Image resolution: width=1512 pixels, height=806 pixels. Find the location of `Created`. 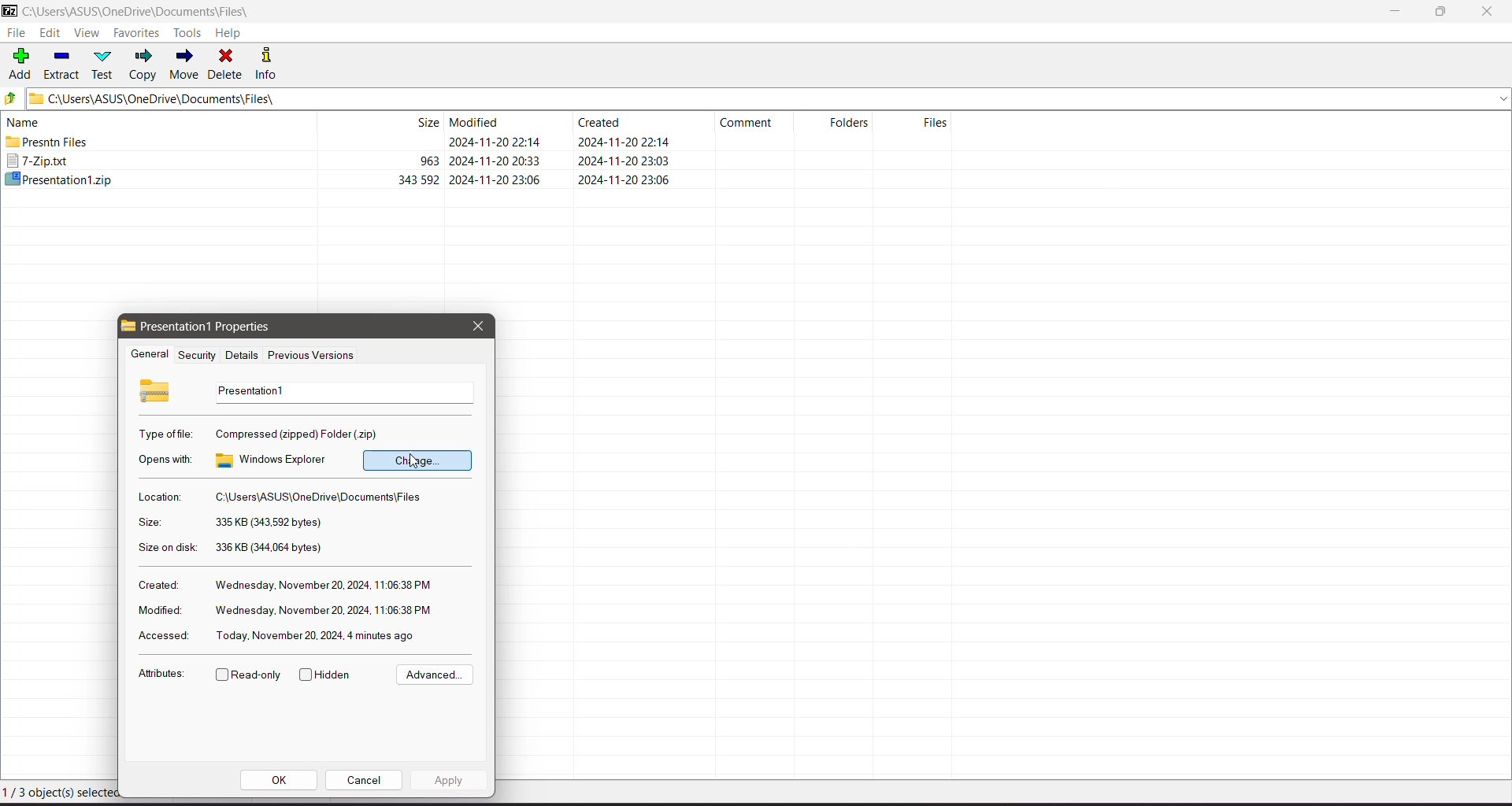

Created is located at coordinates (157, 584).